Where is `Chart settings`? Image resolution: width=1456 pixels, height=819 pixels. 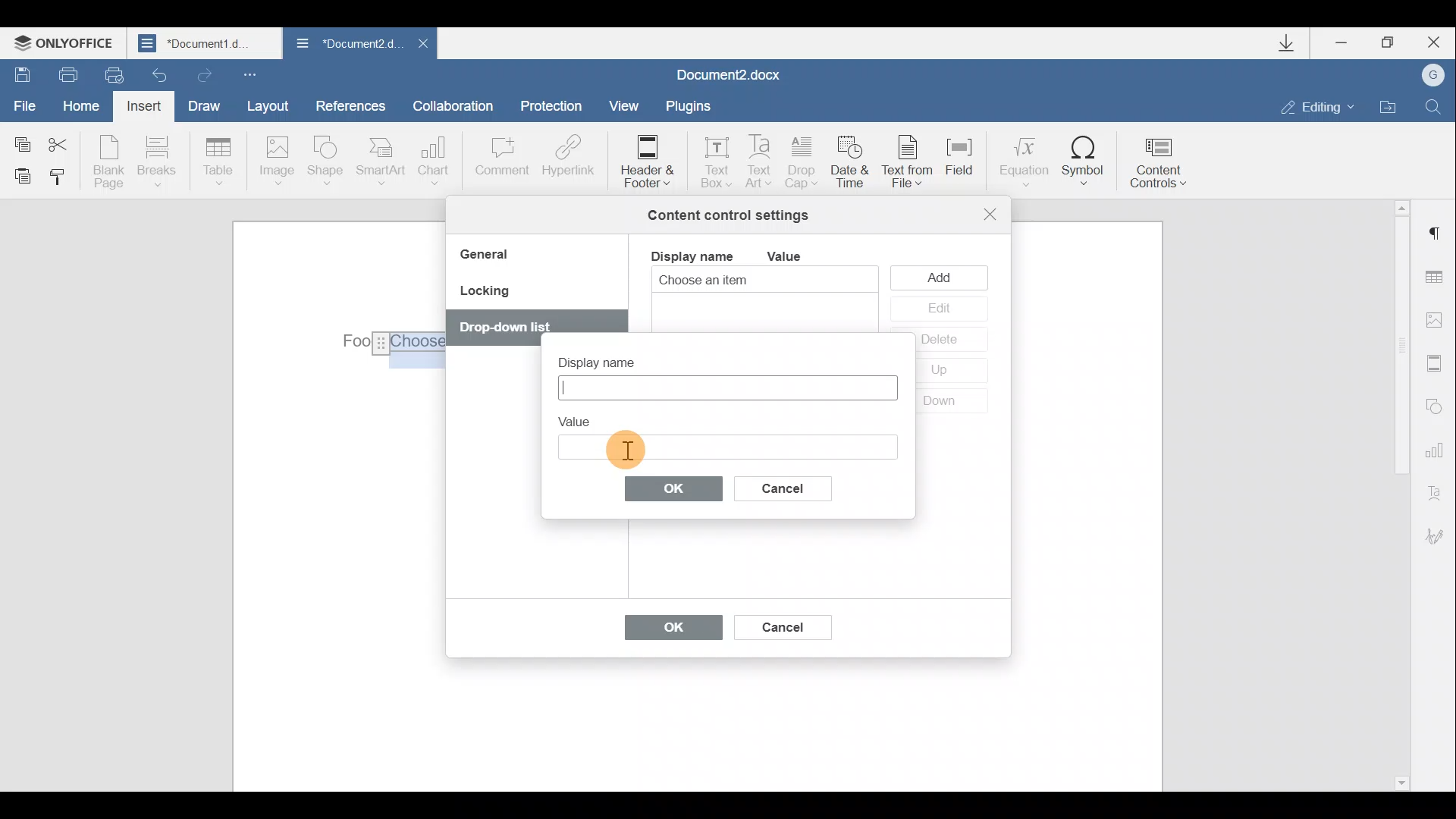 Chart settings is located at coordinates (1437, 448).